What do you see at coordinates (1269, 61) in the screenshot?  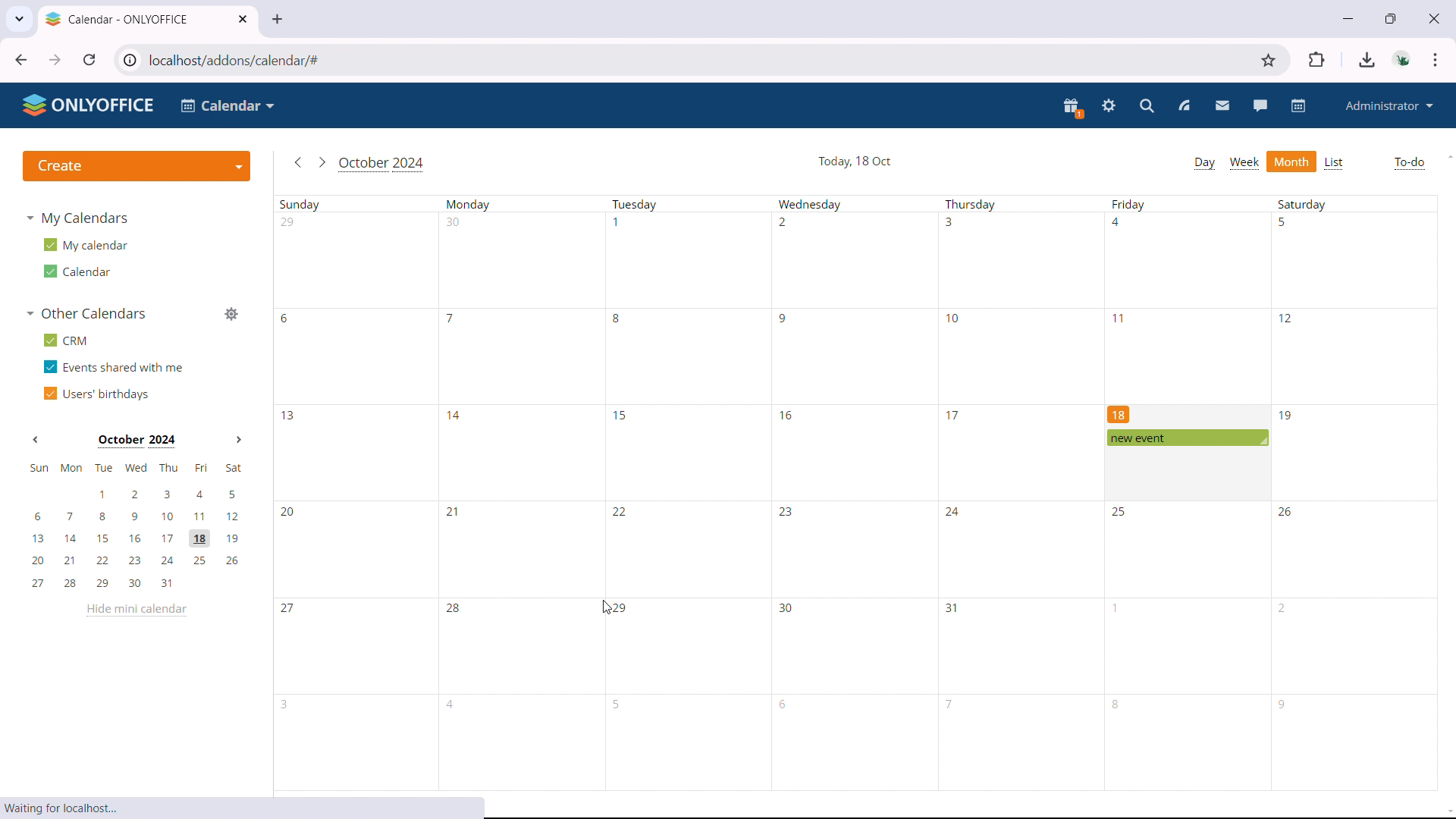 I see `bookmark this tab` at bounding box center [1269, 61].